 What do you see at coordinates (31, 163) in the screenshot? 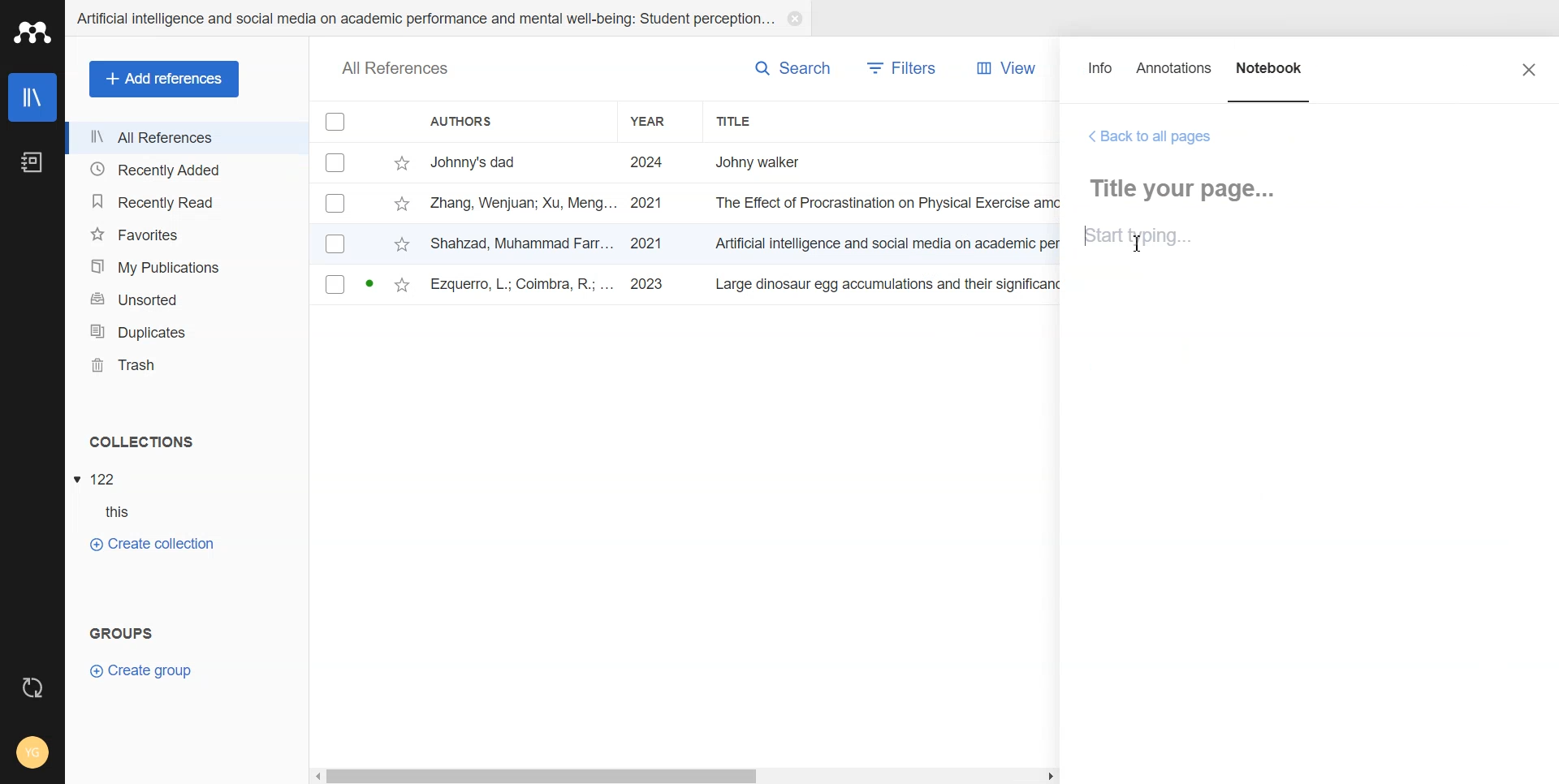
I see `Notebook` at bounding box center [31, 163].